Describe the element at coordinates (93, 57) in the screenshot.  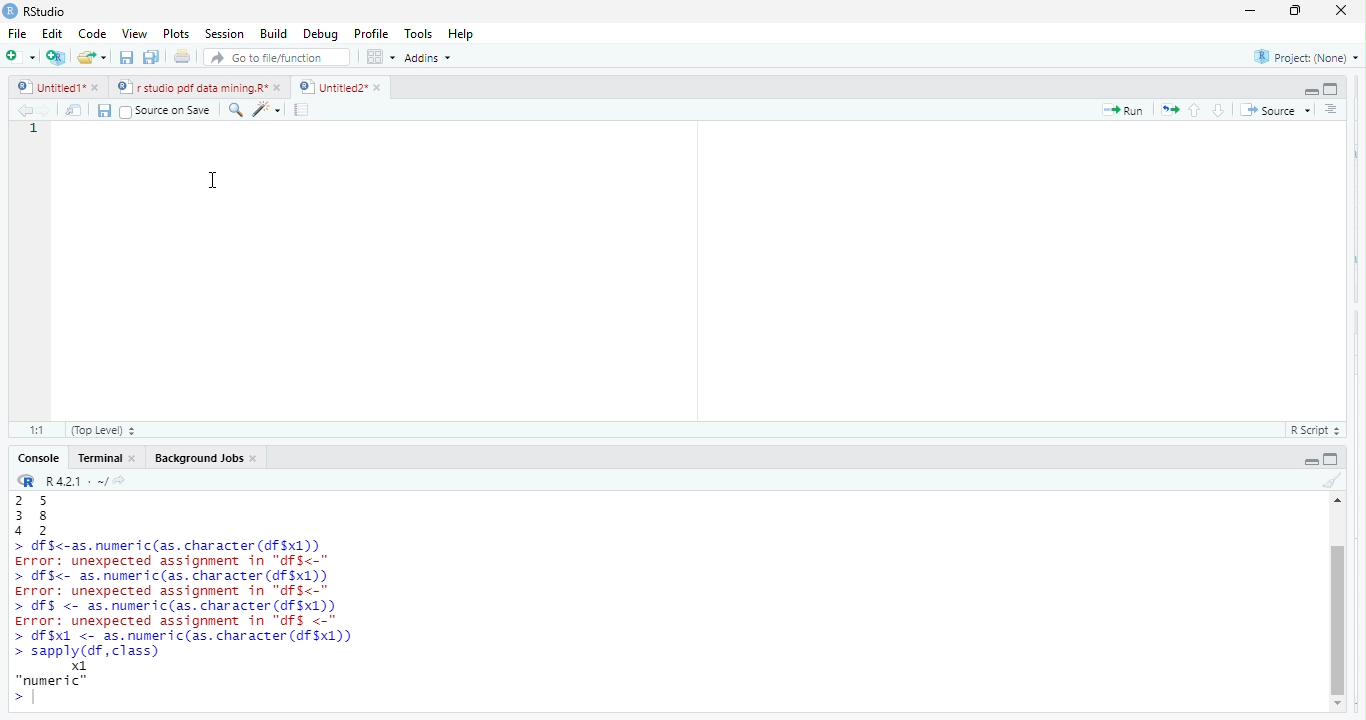
I see `open an existing file` at that location.